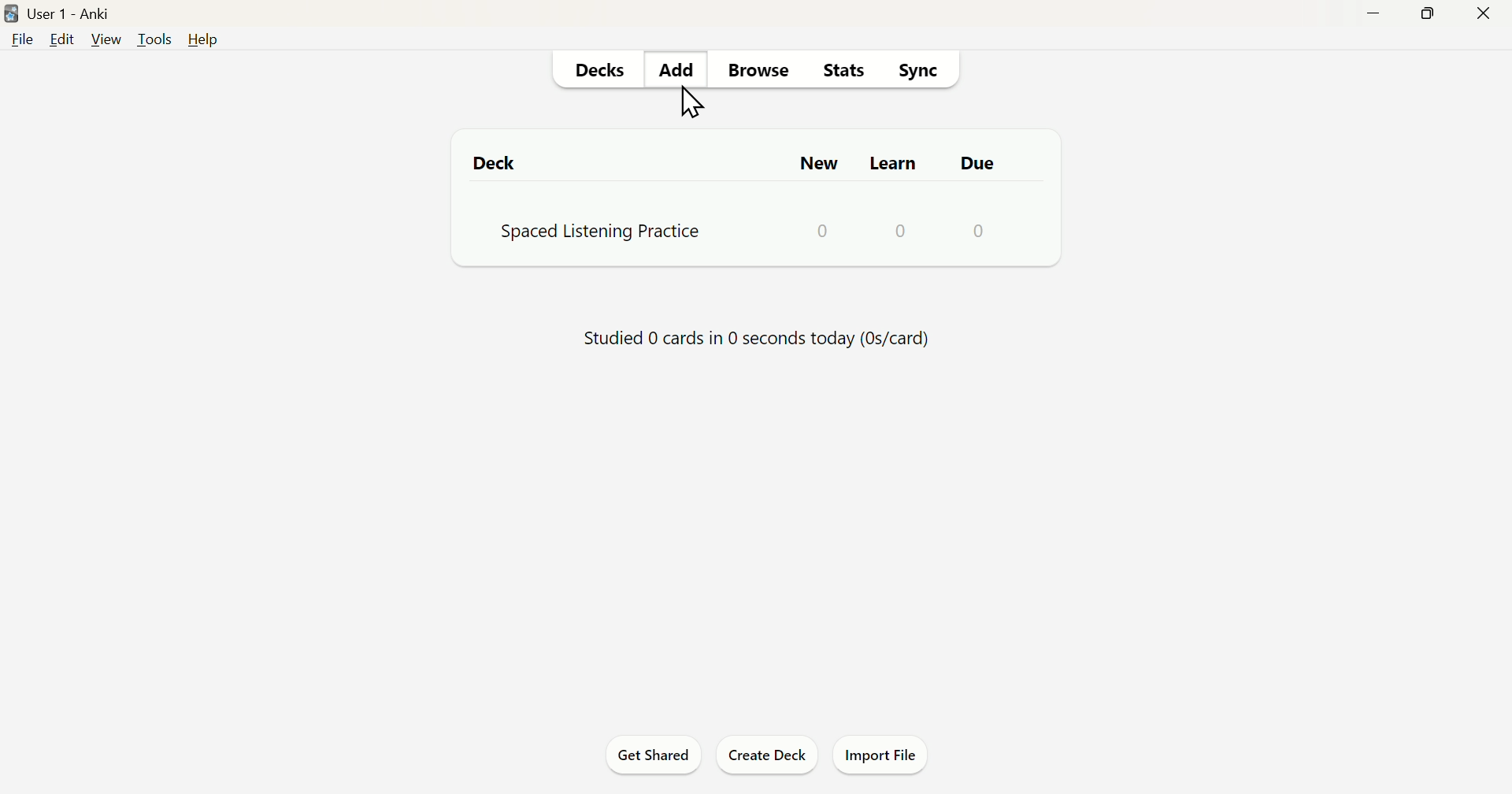 The height and width of the screenshot is (794, 1512). Describe the element at coordinates (766, 755) in the screenshot. I see `Create Deck` at that location.